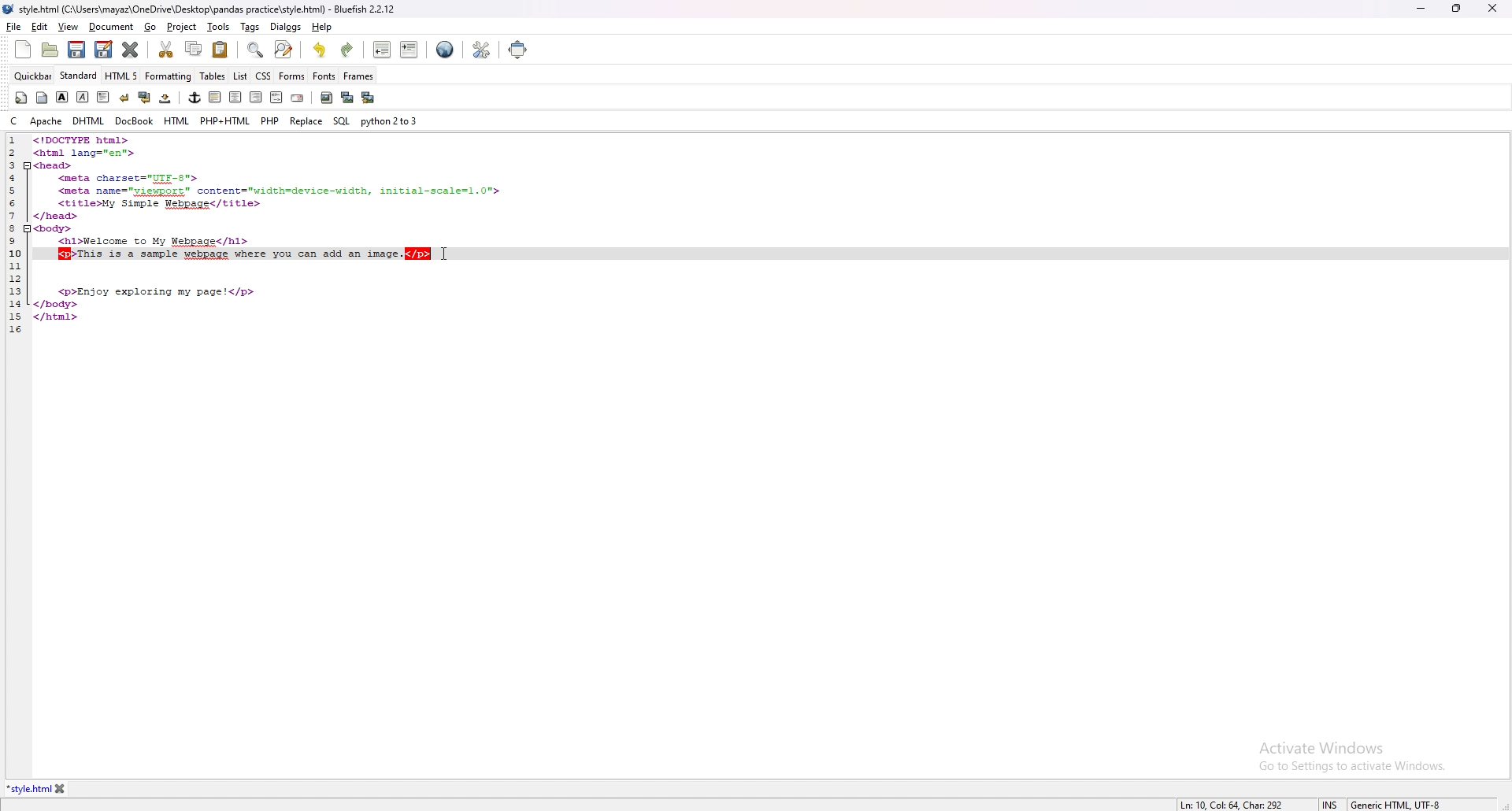 The height and width of the screenshot is (811, 1512). Describe the element at coordinates (358, 76) in the screenshot. I see `frames` at that location.